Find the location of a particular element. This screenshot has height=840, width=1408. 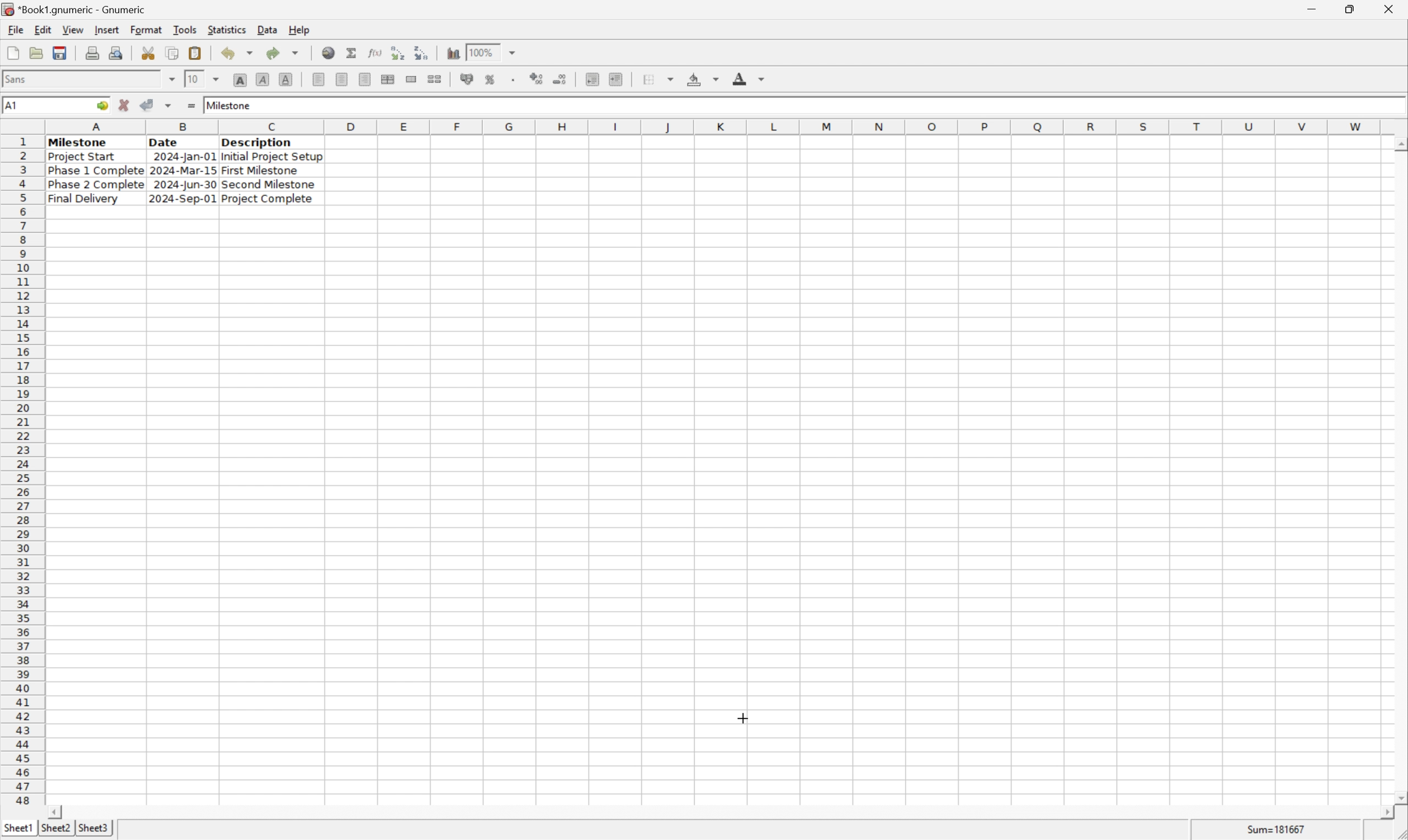

font color is located at coordinates (749, 78).